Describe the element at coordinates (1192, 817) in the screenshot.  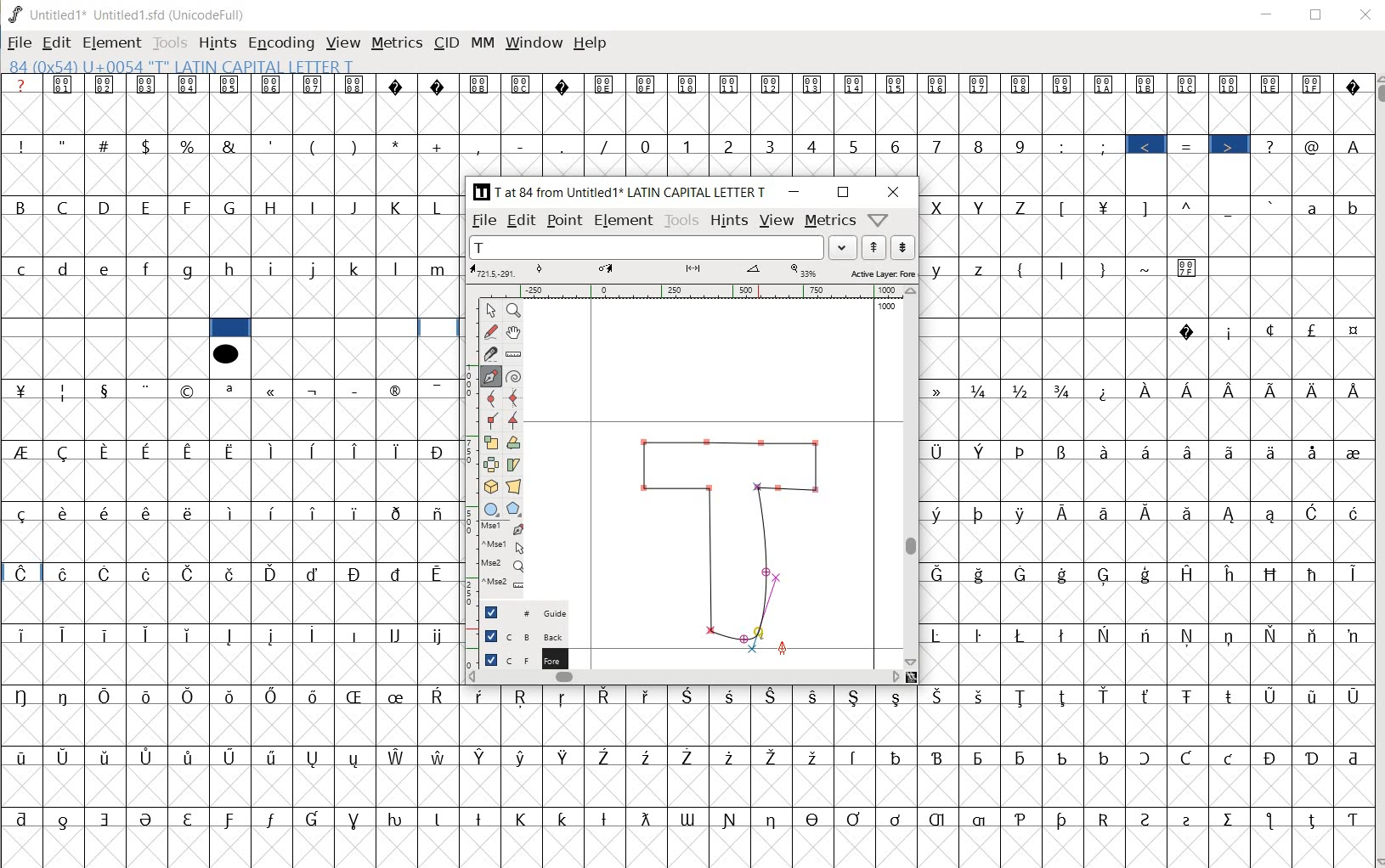
I see `Symbol` at that location.